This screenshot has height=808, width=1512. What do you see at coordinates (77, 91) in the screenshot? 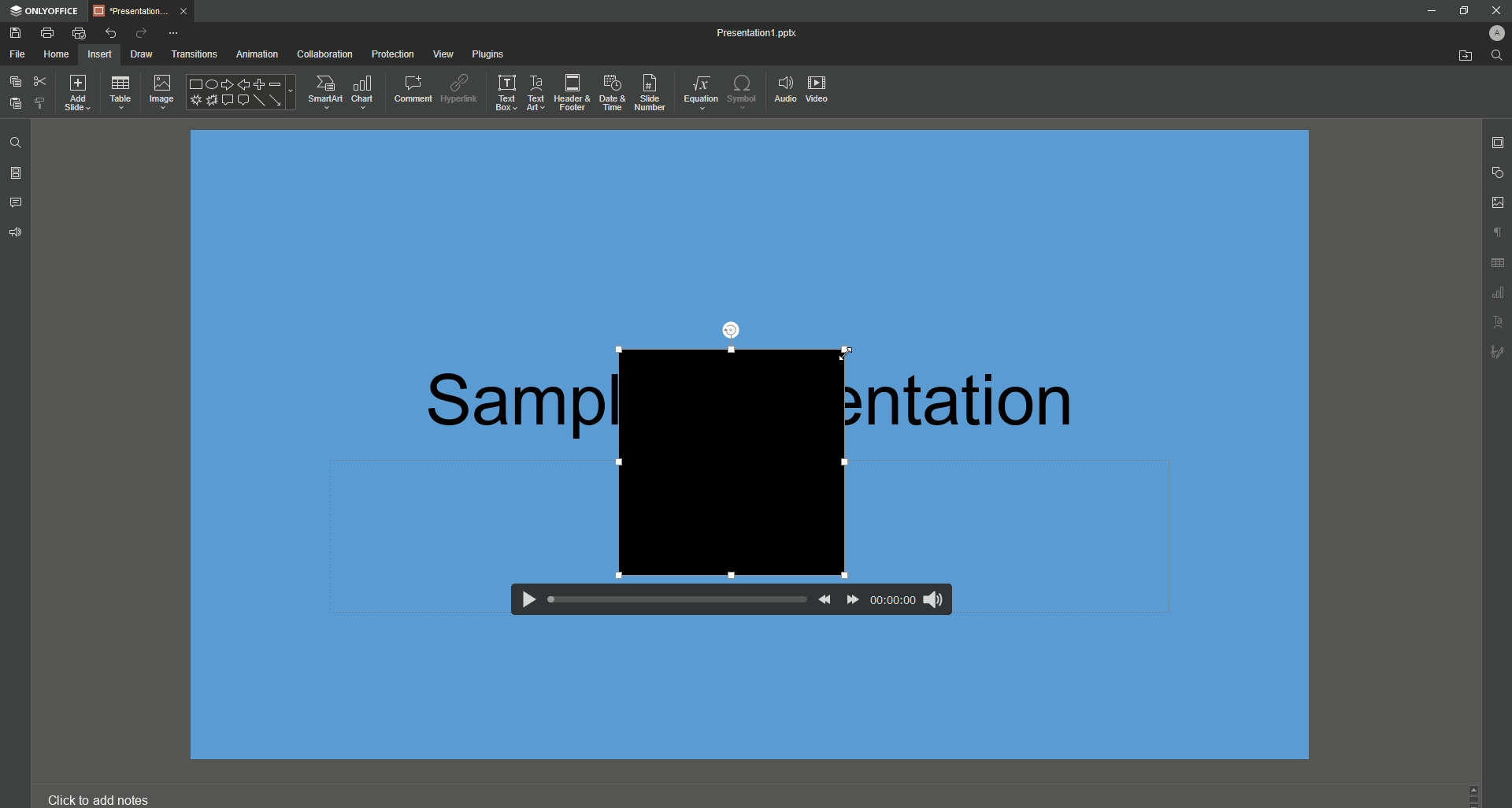
I see `Add Slide` at bounding box center [77, 91].